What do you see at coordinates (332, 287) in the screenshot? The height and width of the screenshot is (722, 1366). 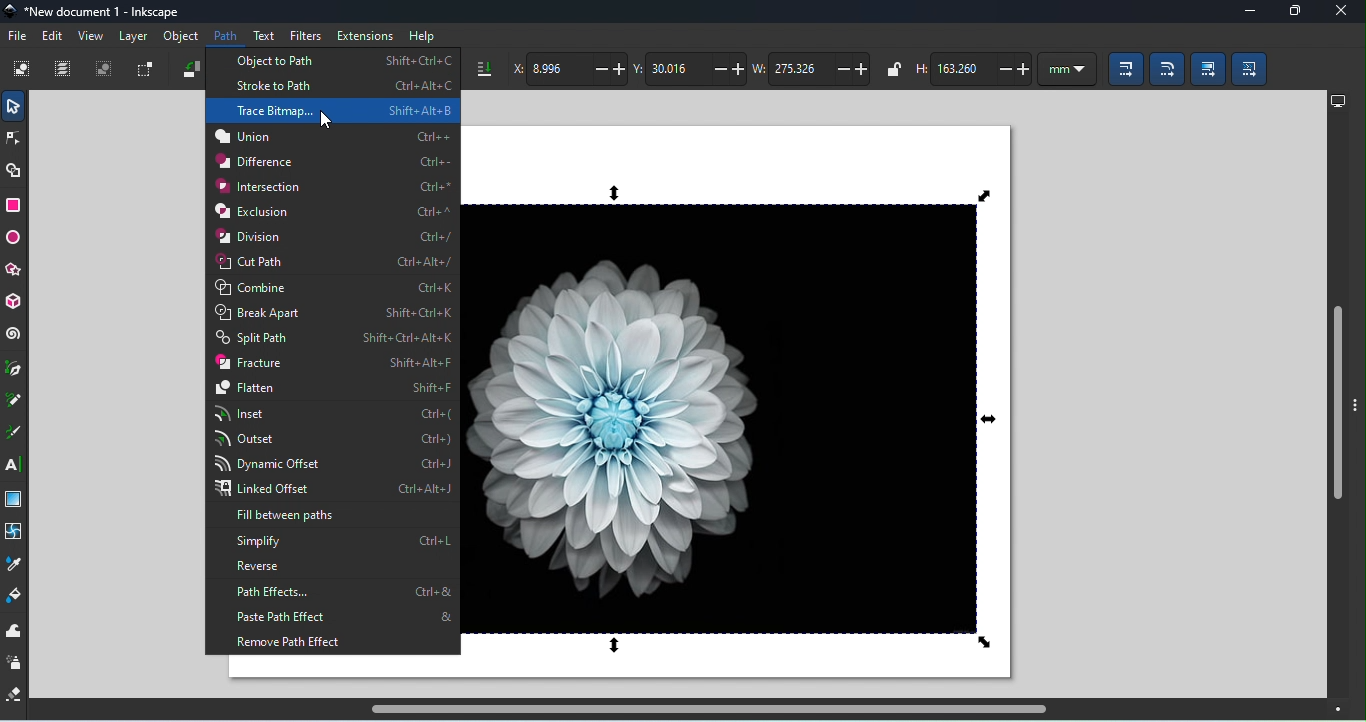 I see `Combine` at bounding box center [332, 287].